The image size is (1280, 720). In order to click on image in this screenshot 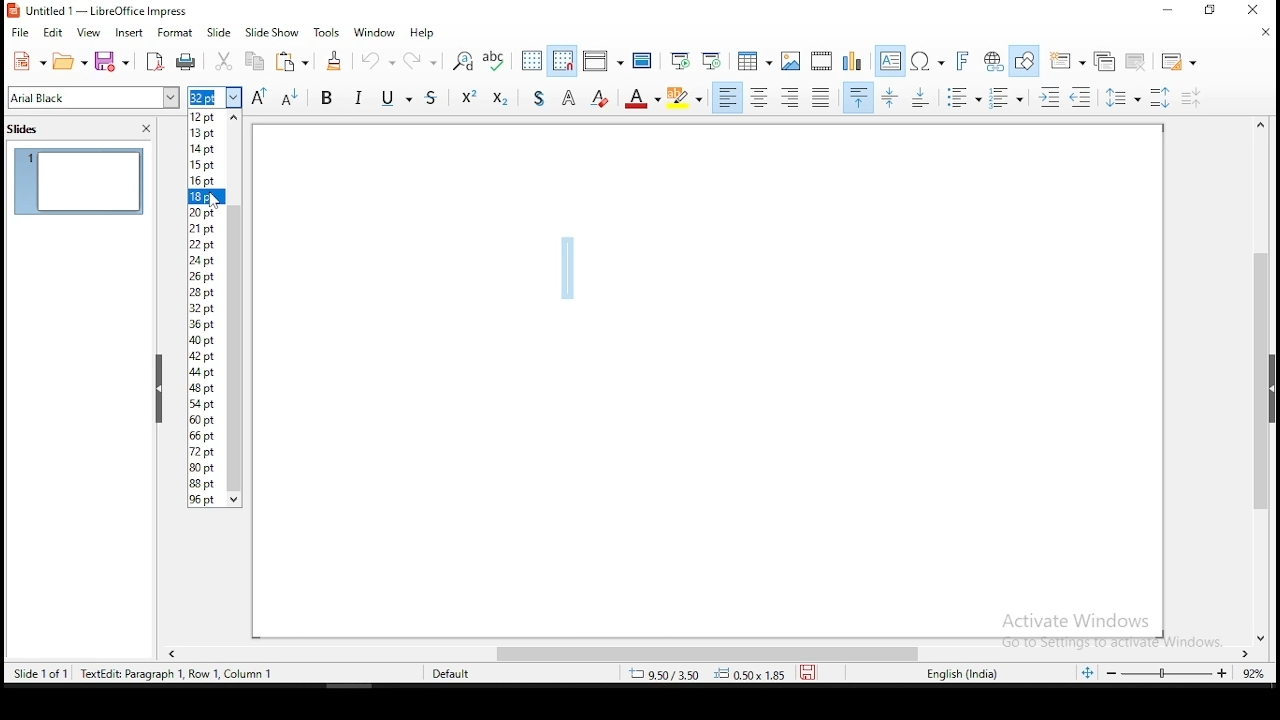, I will do `click(792, 61)`.